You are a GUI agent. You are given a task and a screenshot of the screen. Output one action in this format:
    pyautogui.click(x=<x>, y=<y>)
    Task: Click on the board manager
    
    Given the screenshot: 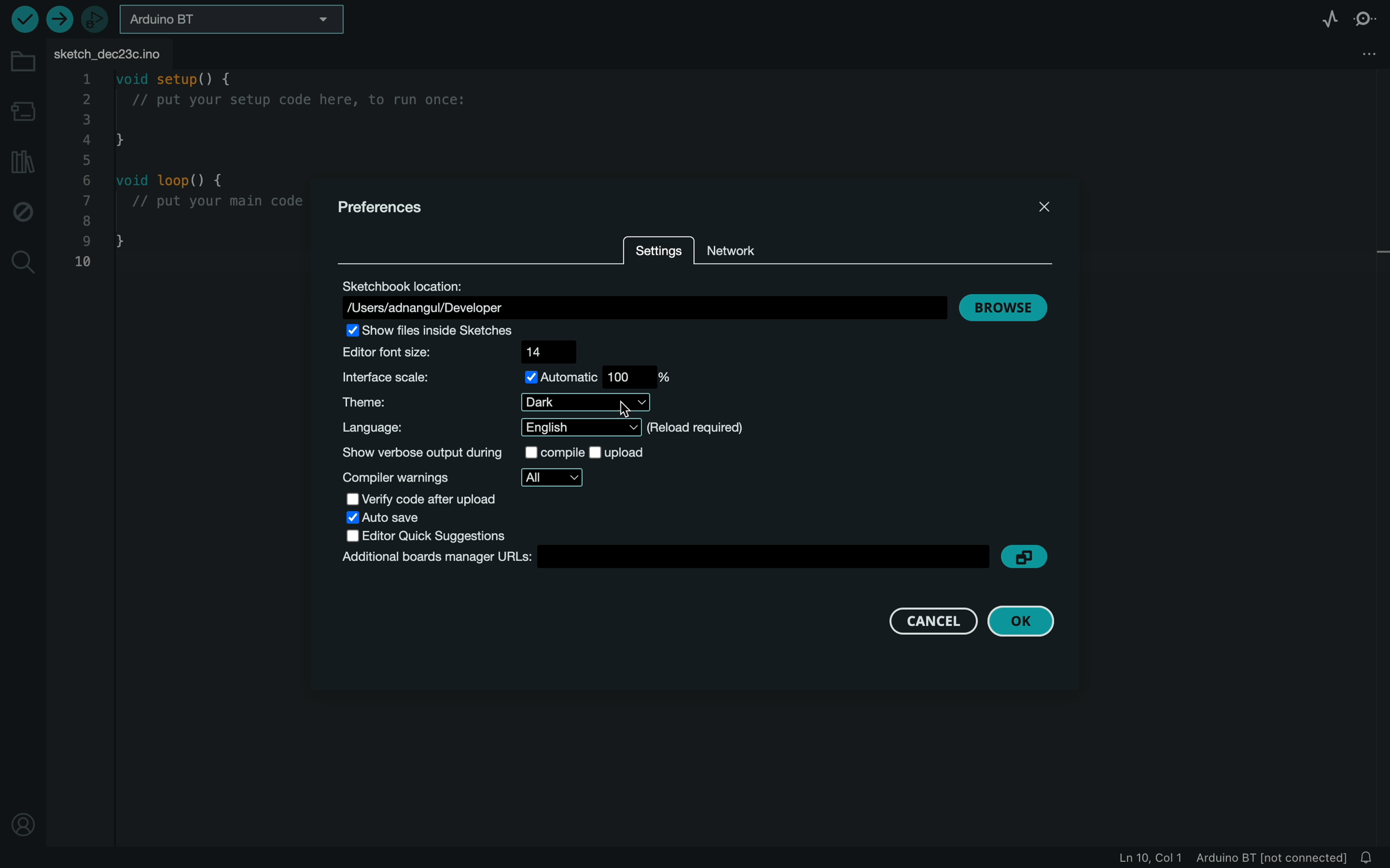 What is the action you would take?
    pyautogui.click(x=24, y=111)
    